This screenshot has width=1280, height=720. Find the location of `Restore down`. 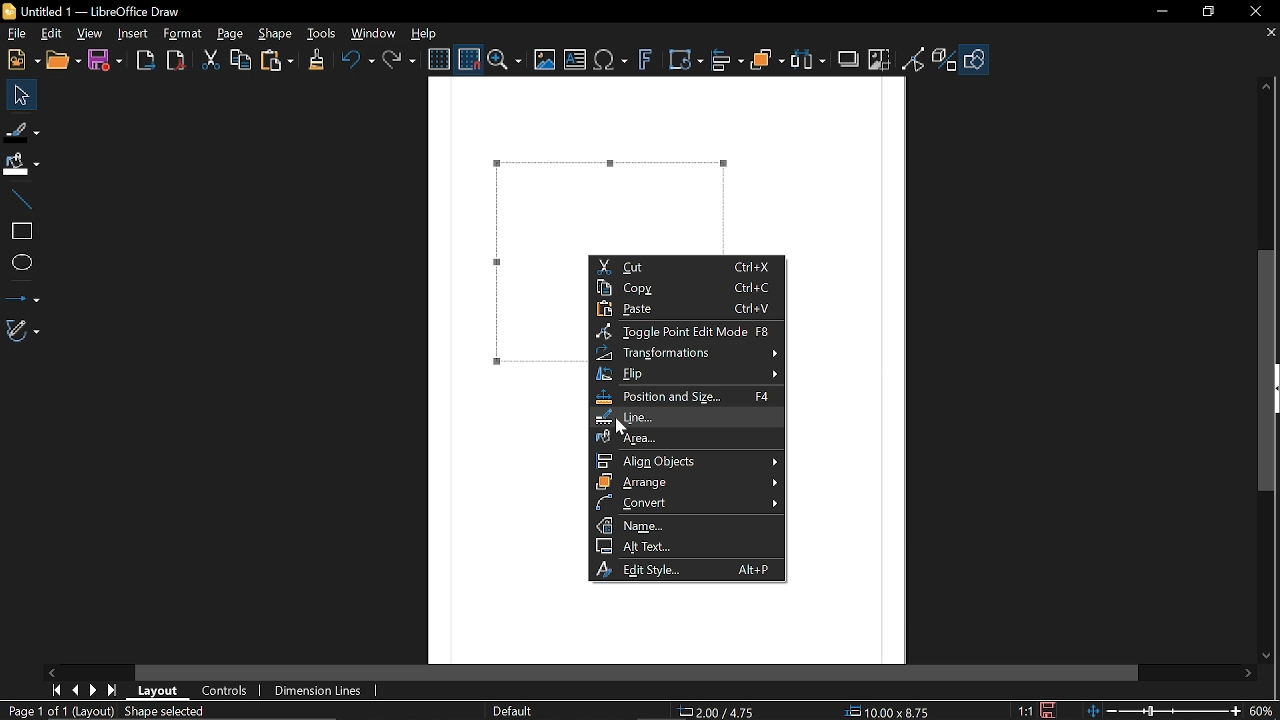

Restore down is located at coordinates (1208, 13).